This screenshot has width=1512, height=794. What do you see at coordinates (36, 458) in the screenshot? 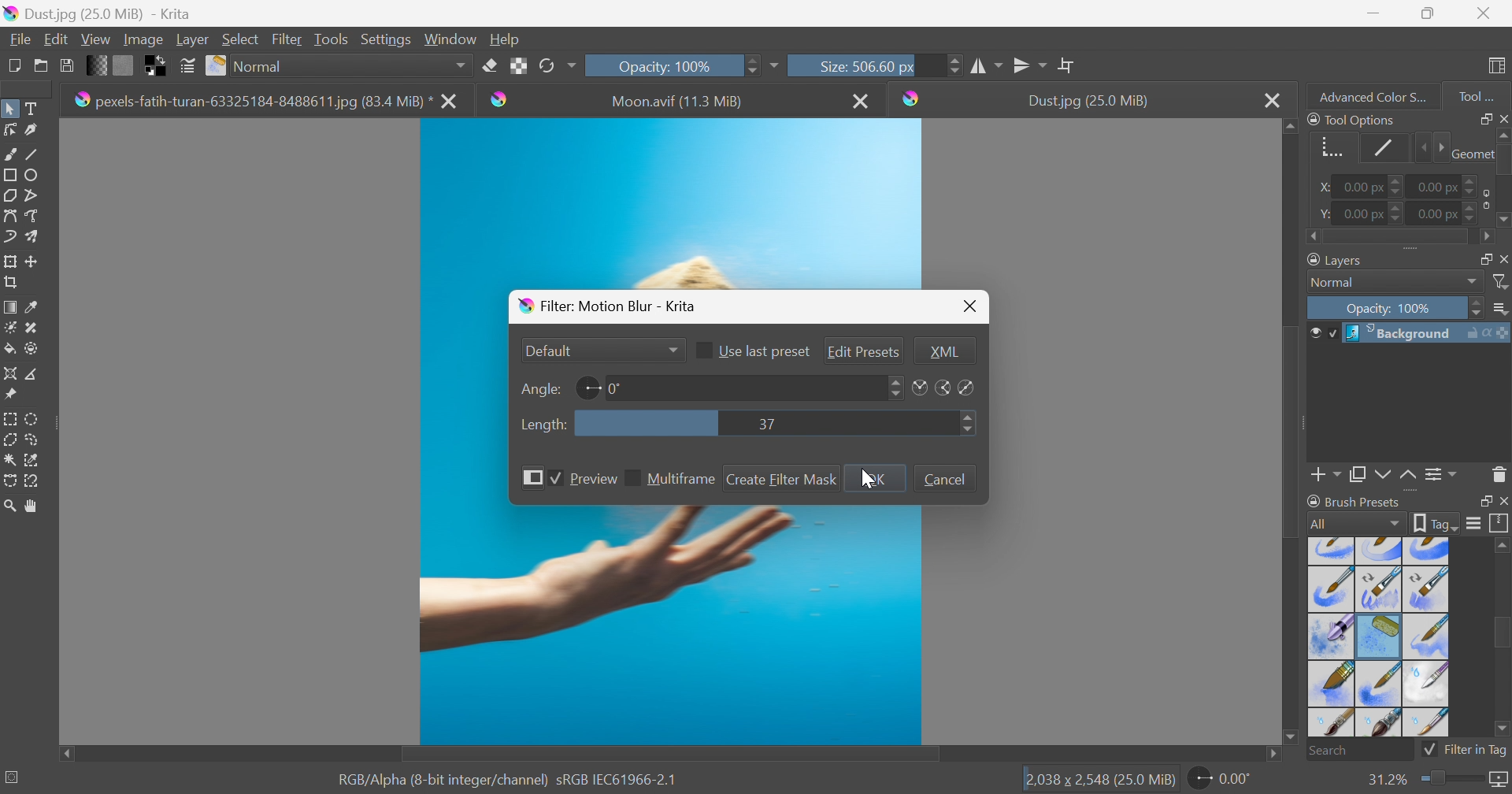
I see `selection tool` at bounding box center [36, 458].